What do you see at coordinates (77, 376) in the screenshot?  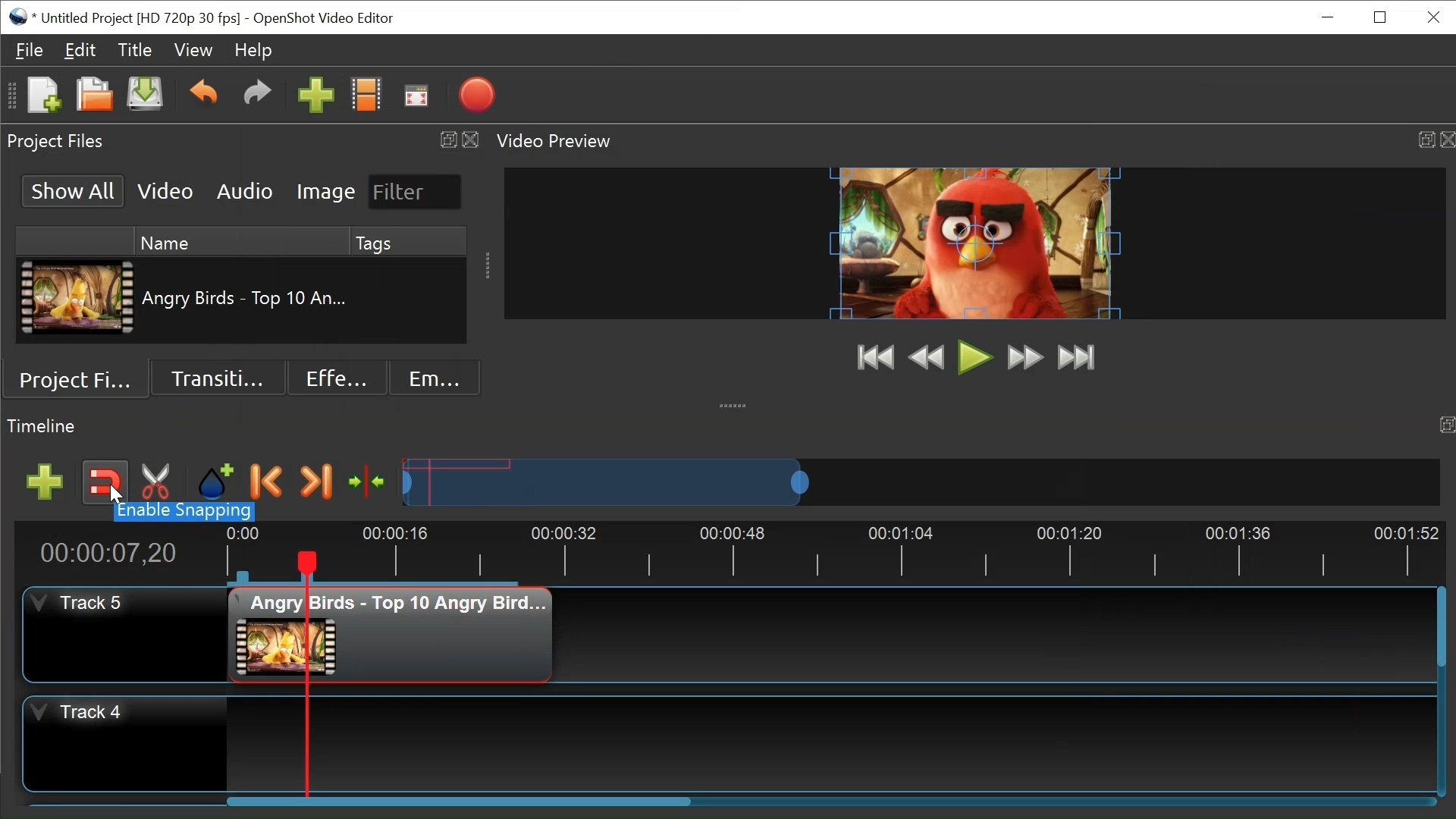 I see `Project Files` at bounding box center [77, 376].